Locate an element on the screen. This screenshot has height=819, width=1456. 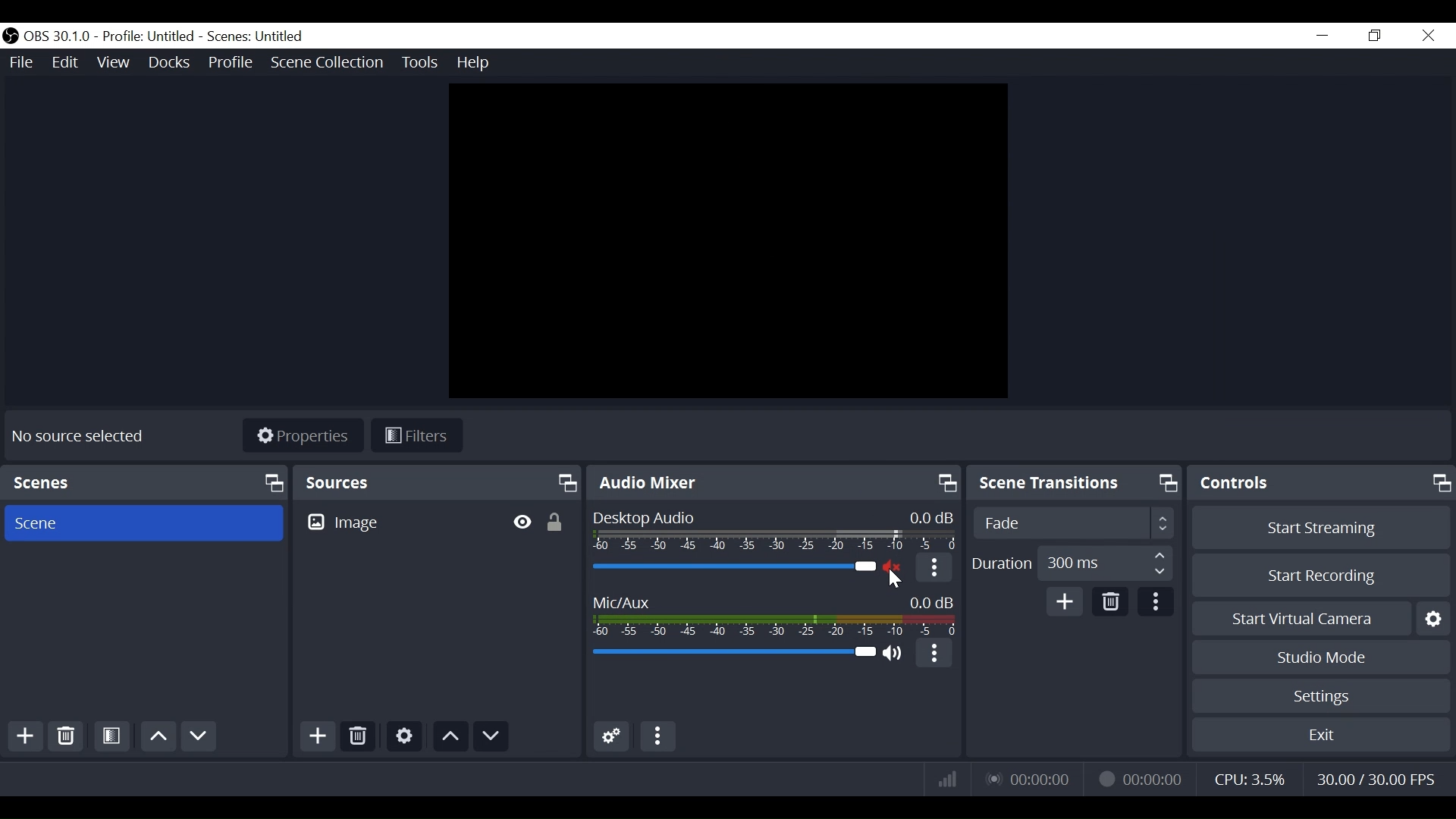
Properties is located at coordinates (306, 435).